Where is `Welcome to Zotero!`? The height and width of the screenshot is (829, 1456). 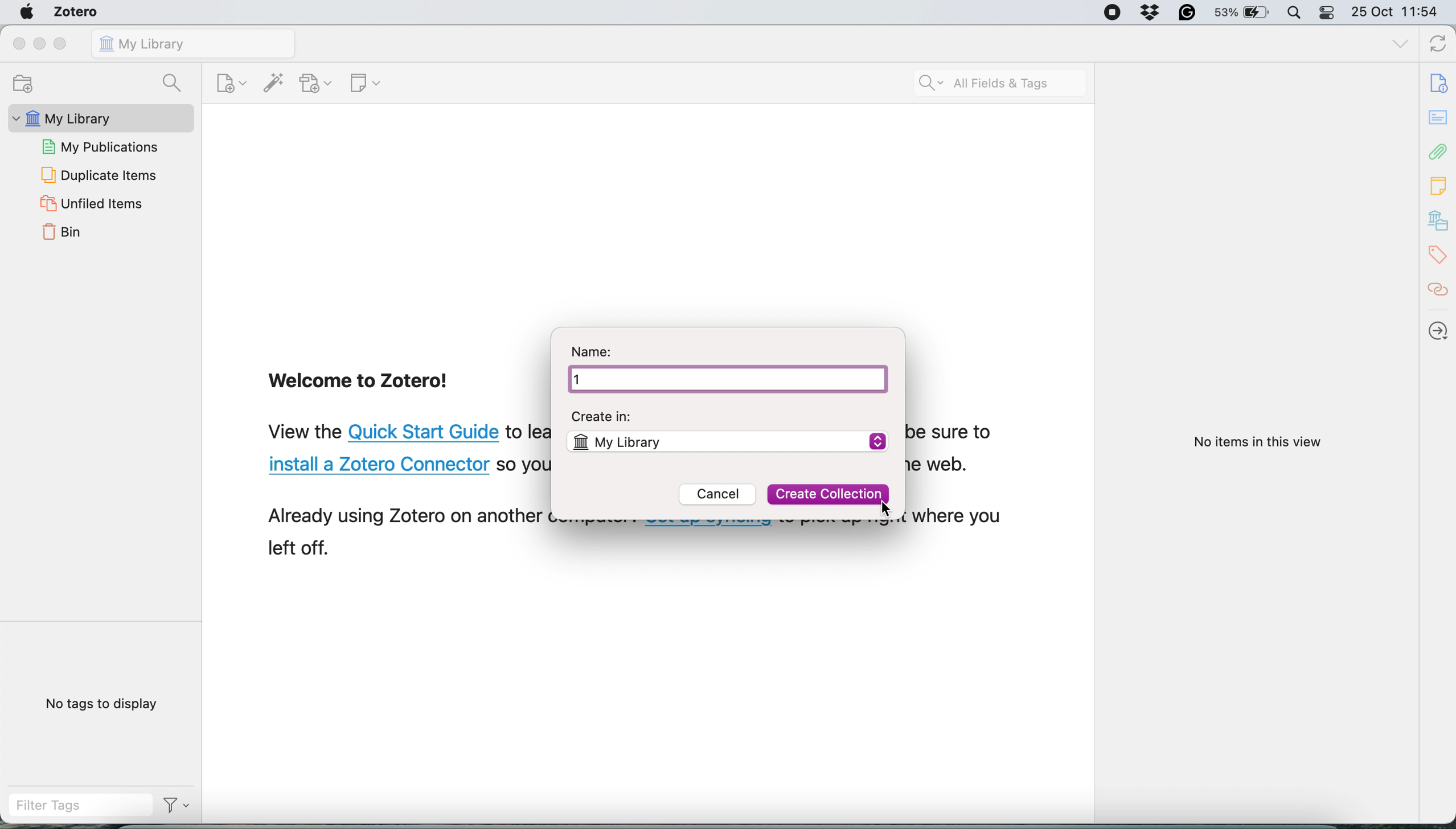
Welcome to Zotero! is located at coordinates (360, 384).